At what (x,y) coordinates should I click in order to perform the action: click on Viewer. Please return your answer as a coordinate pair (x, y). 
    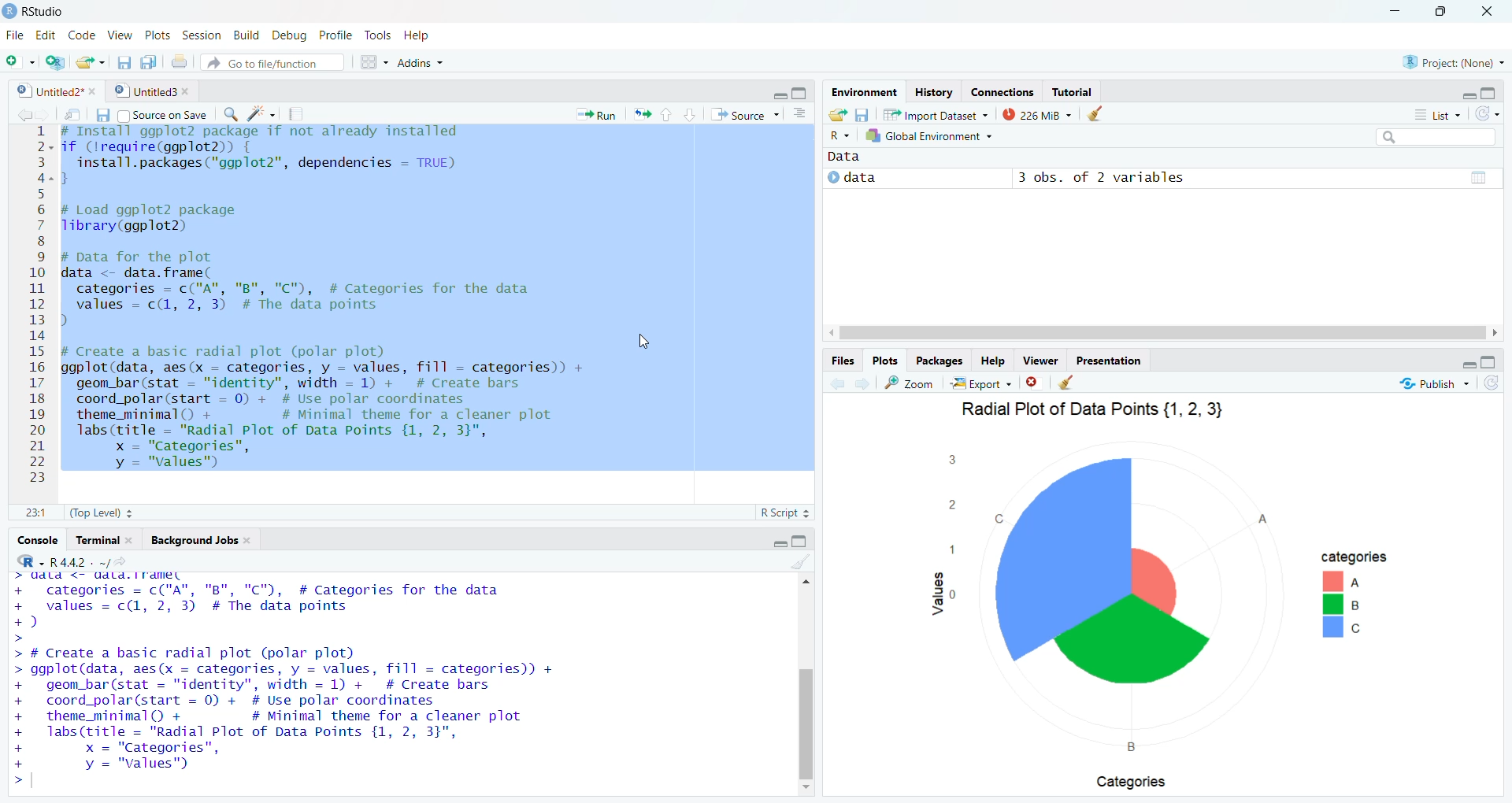
    Looking at the image, I should click on (1039, 361).